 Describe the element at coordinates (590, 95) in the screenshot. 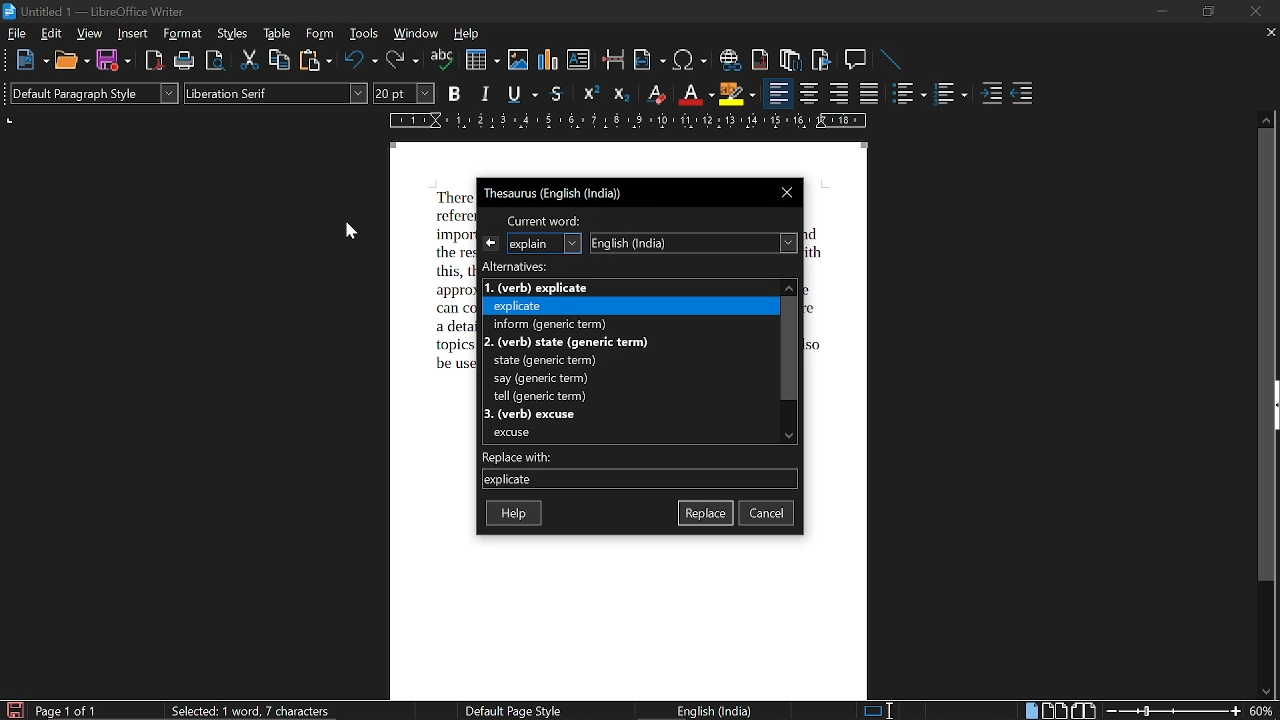

I see `superscript` at that location.